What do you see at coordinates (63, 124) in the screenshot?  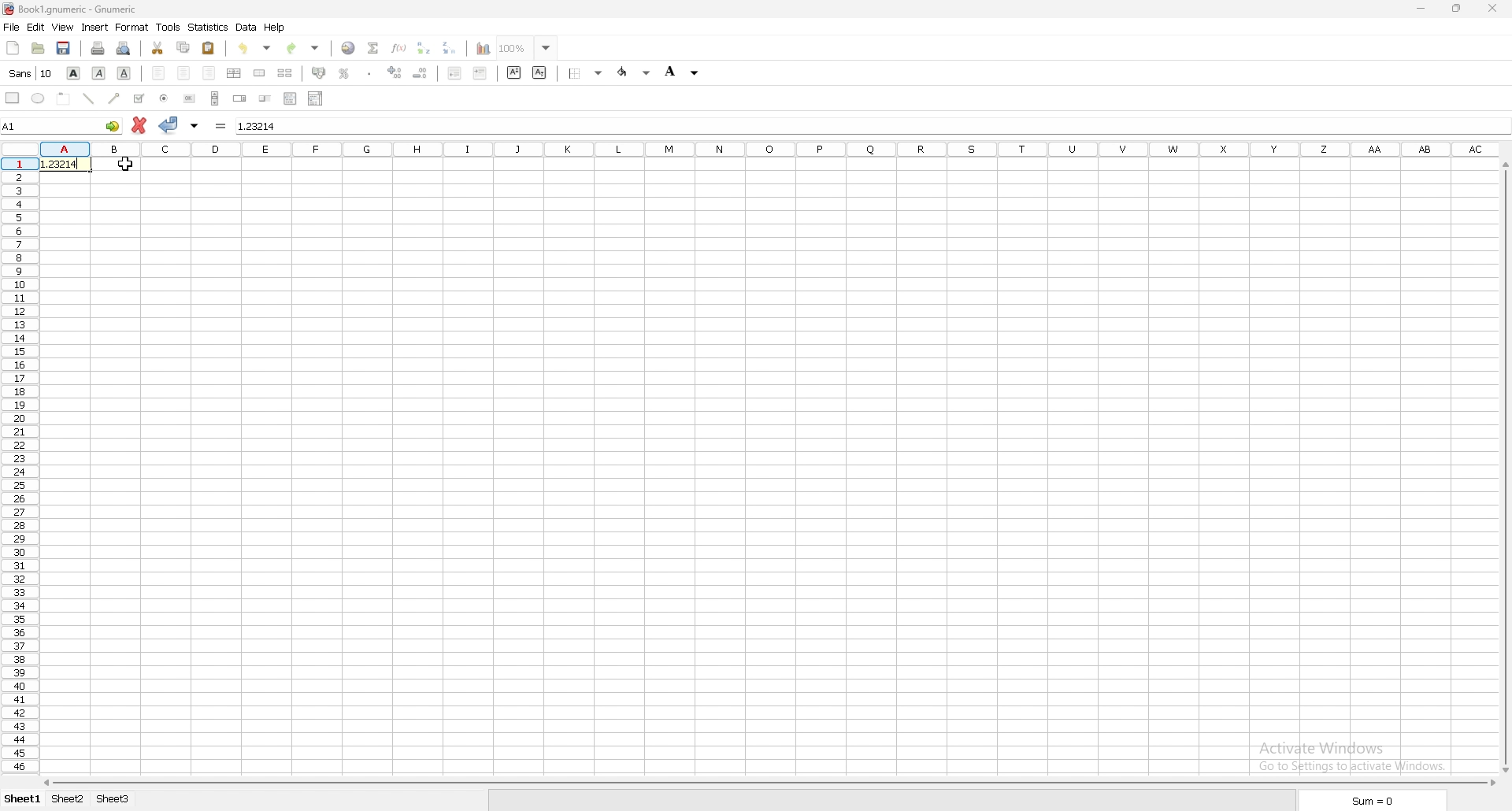 I see `selected cell` at bounding box center [63, 124].